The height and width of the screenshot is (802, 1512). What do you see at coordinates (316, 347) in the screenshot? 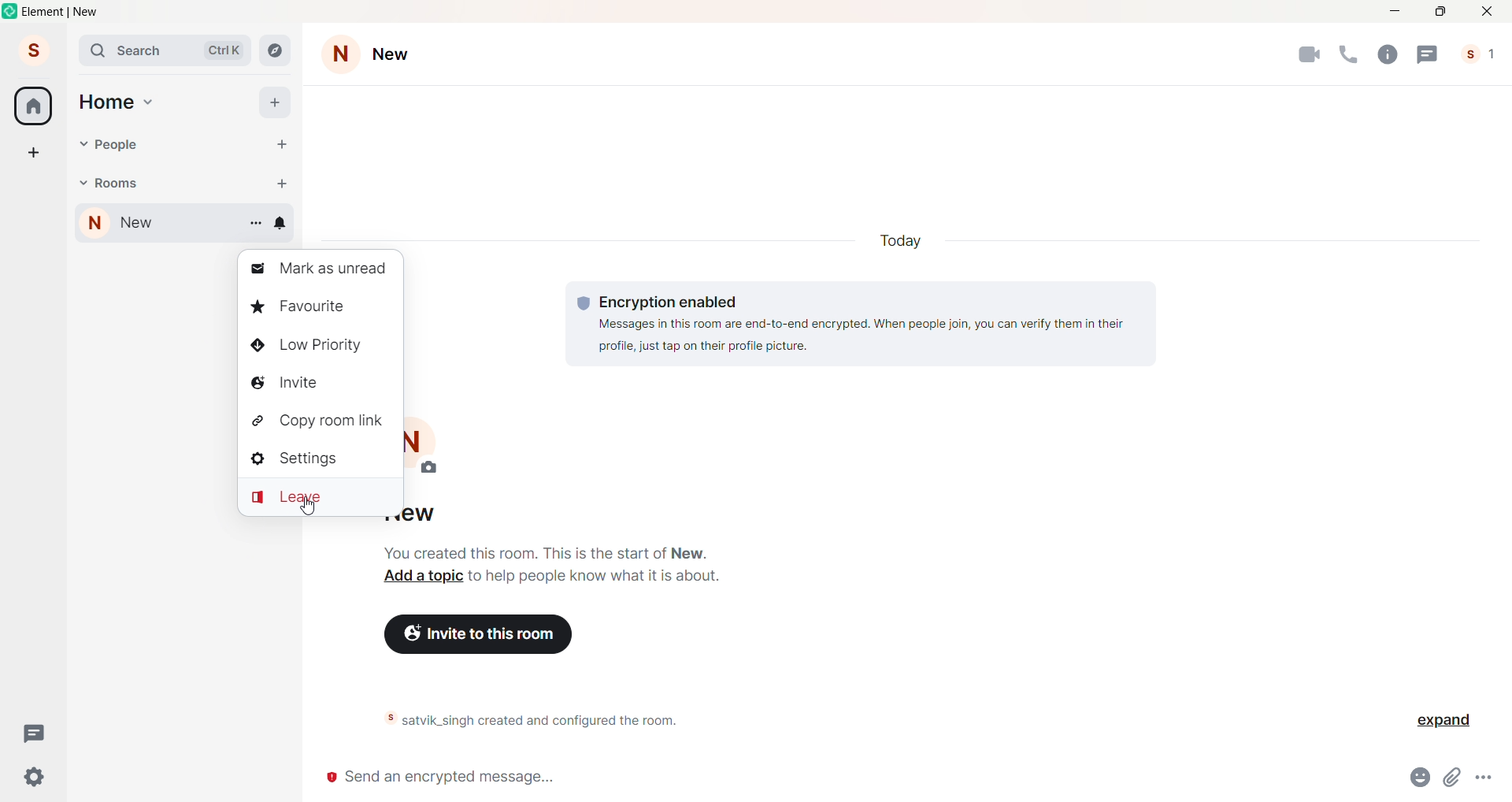
I see `Low Priority` at bounding box center [316, 347].